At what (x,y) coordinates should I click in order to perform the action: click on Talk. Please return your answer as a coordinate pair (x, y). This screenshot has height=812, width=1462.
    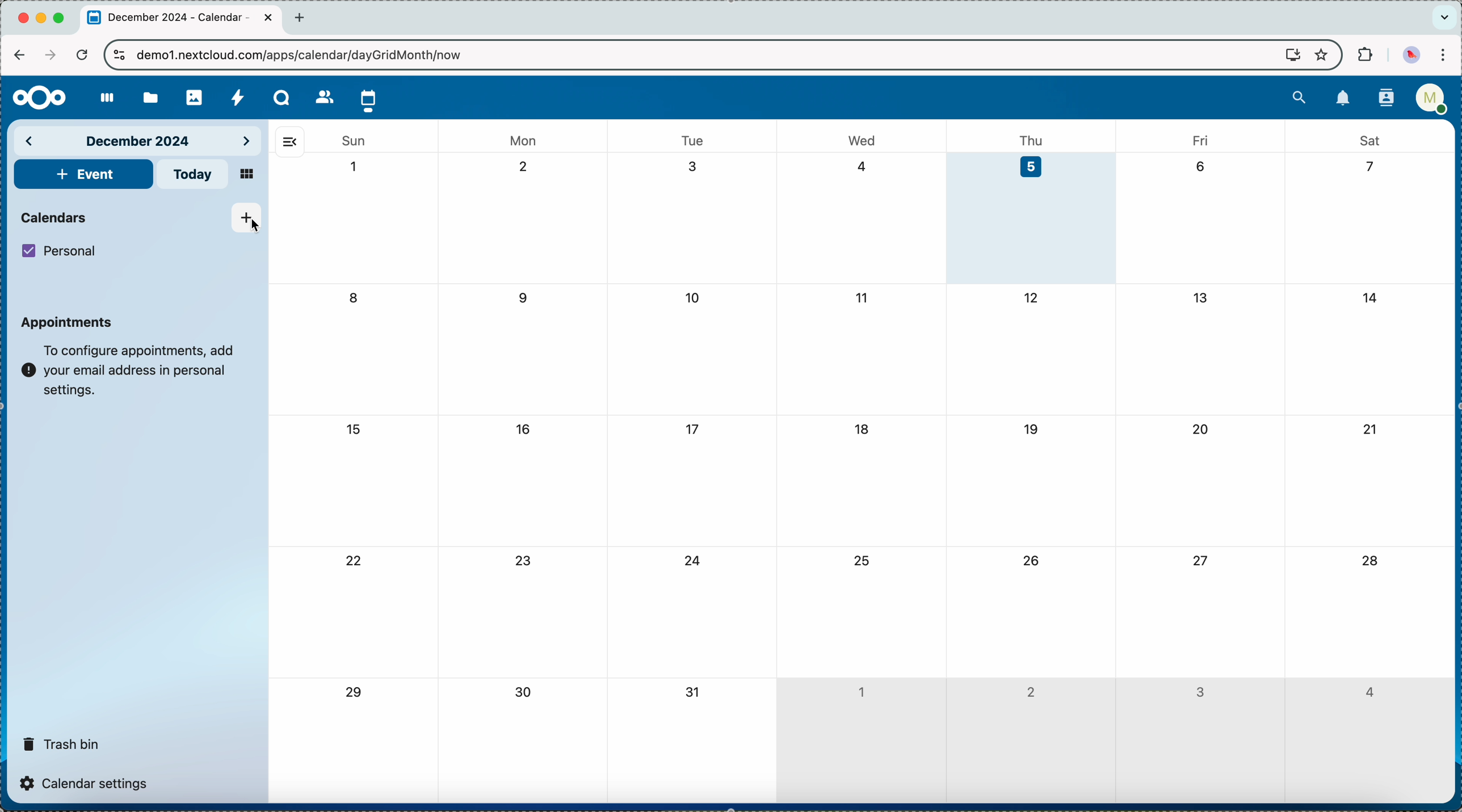
    Looking at the image, I should click on (282, 98).